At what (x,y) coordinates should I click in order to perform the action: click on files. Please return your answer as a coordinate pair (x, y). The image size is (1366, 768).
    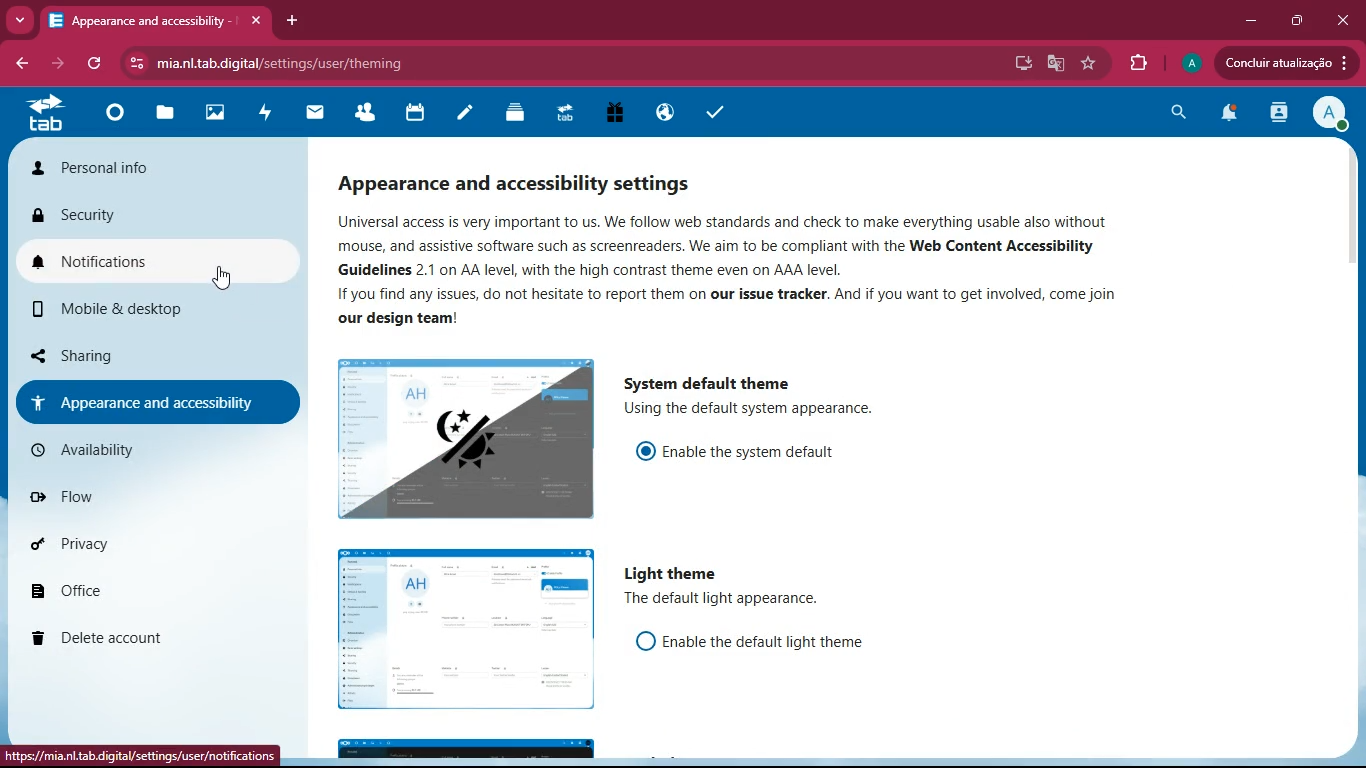
    Looking at the image, I should click on (168, 116).